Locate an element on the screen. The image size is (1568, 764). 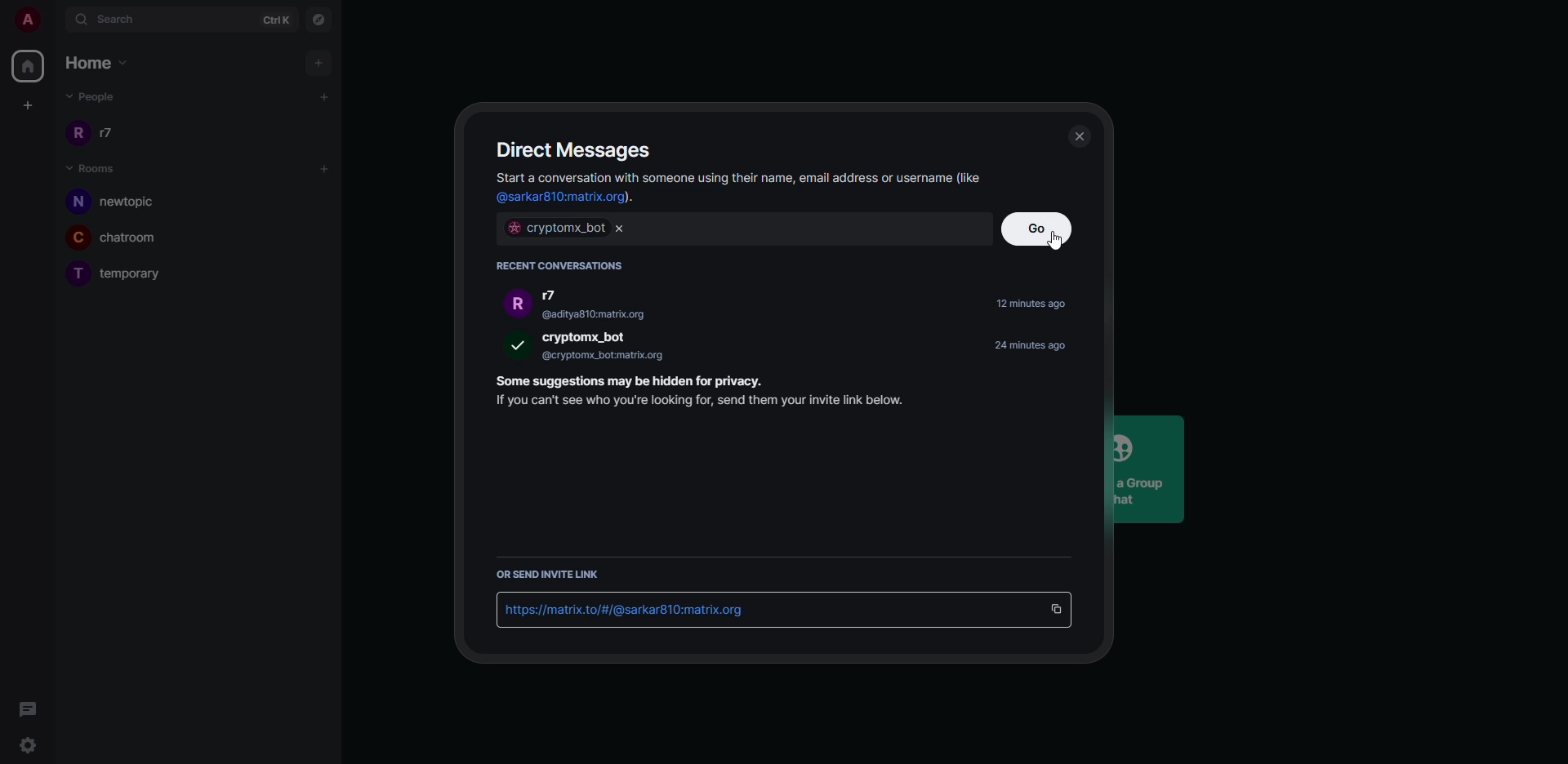
r is located at coordinates (78, 134).